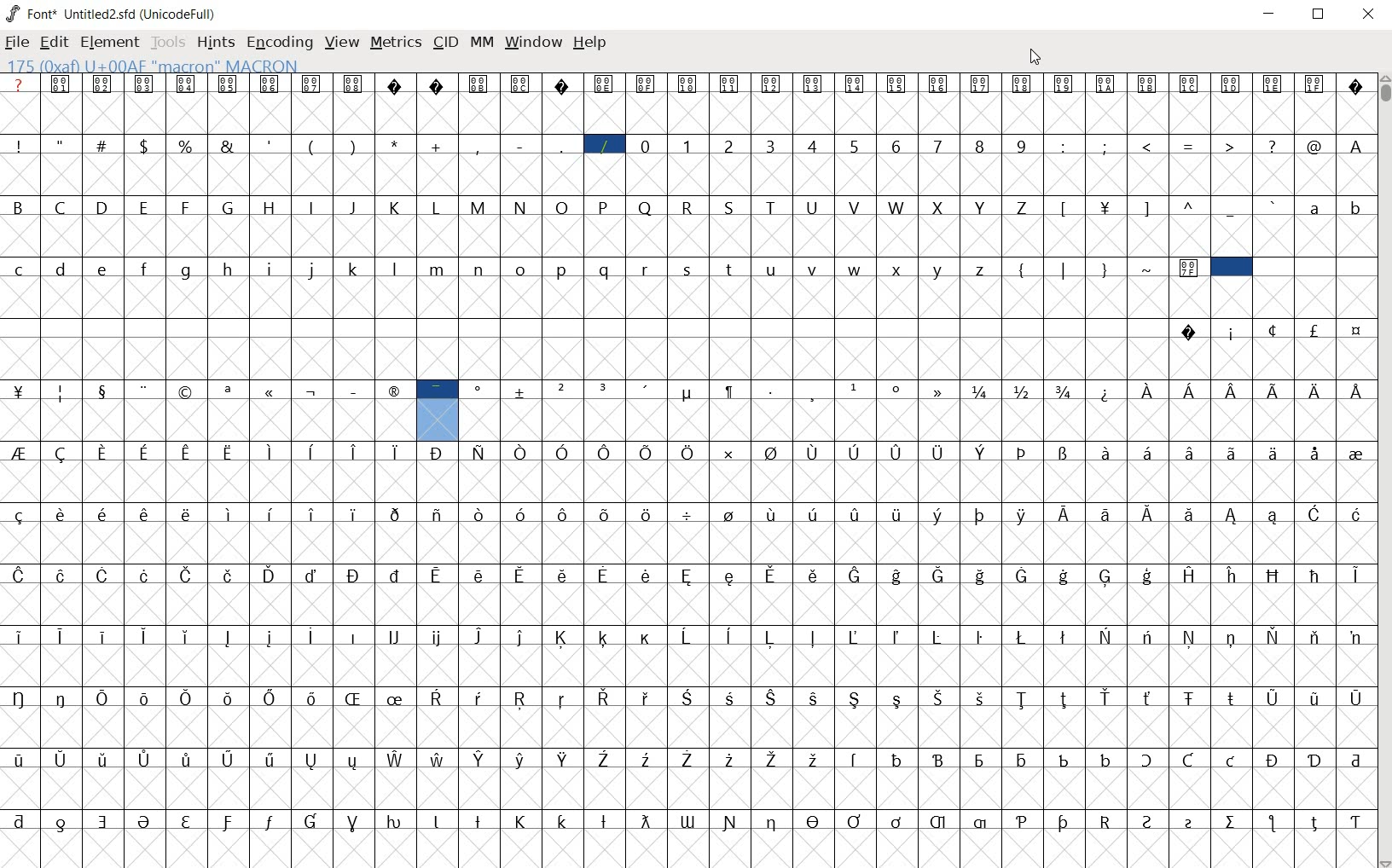  What do you see at coordinates (1064, 223) in the screenshot?
I see `special characters` at bounding box center [1064, 223].